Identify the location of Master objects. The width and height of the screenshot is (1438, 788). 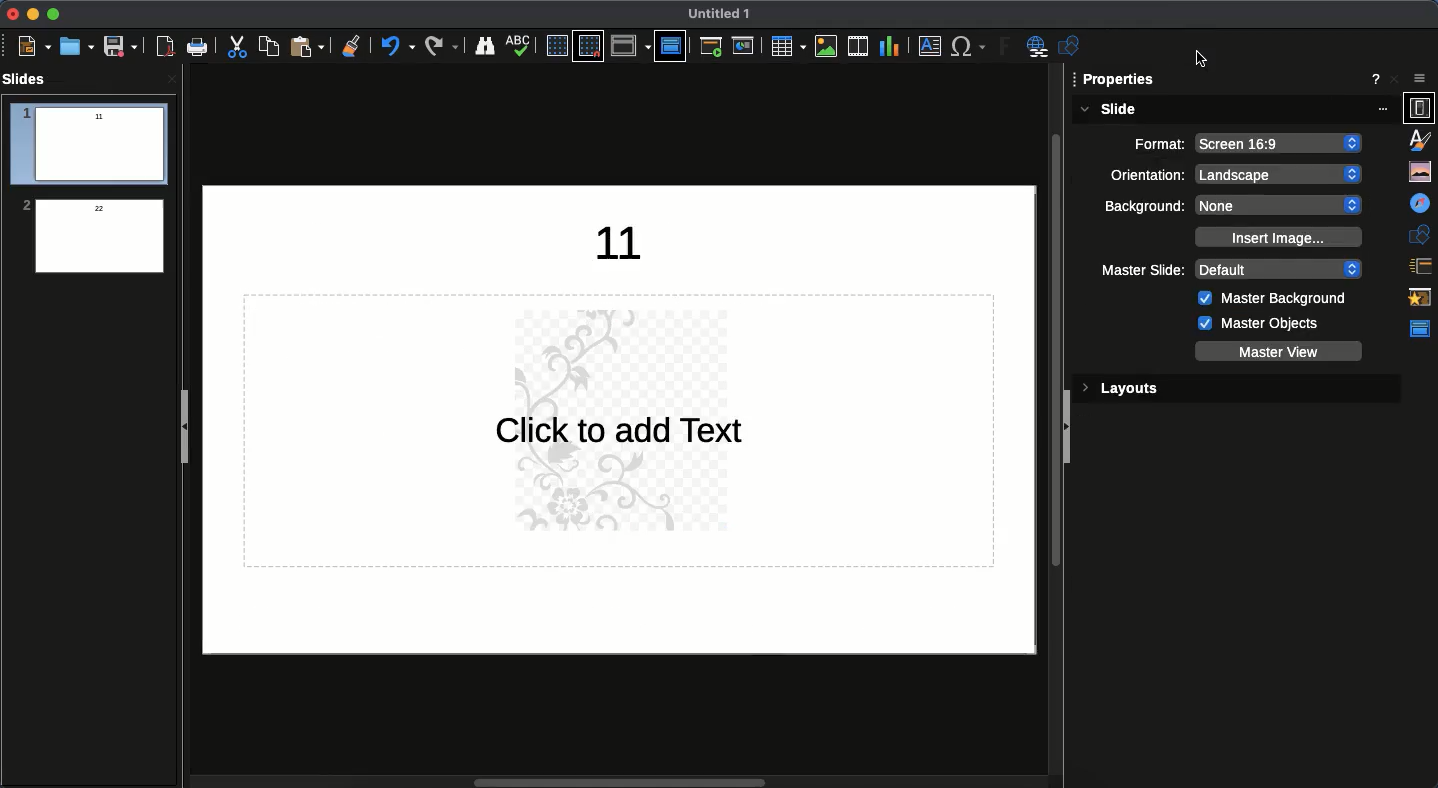
(1260, 325).